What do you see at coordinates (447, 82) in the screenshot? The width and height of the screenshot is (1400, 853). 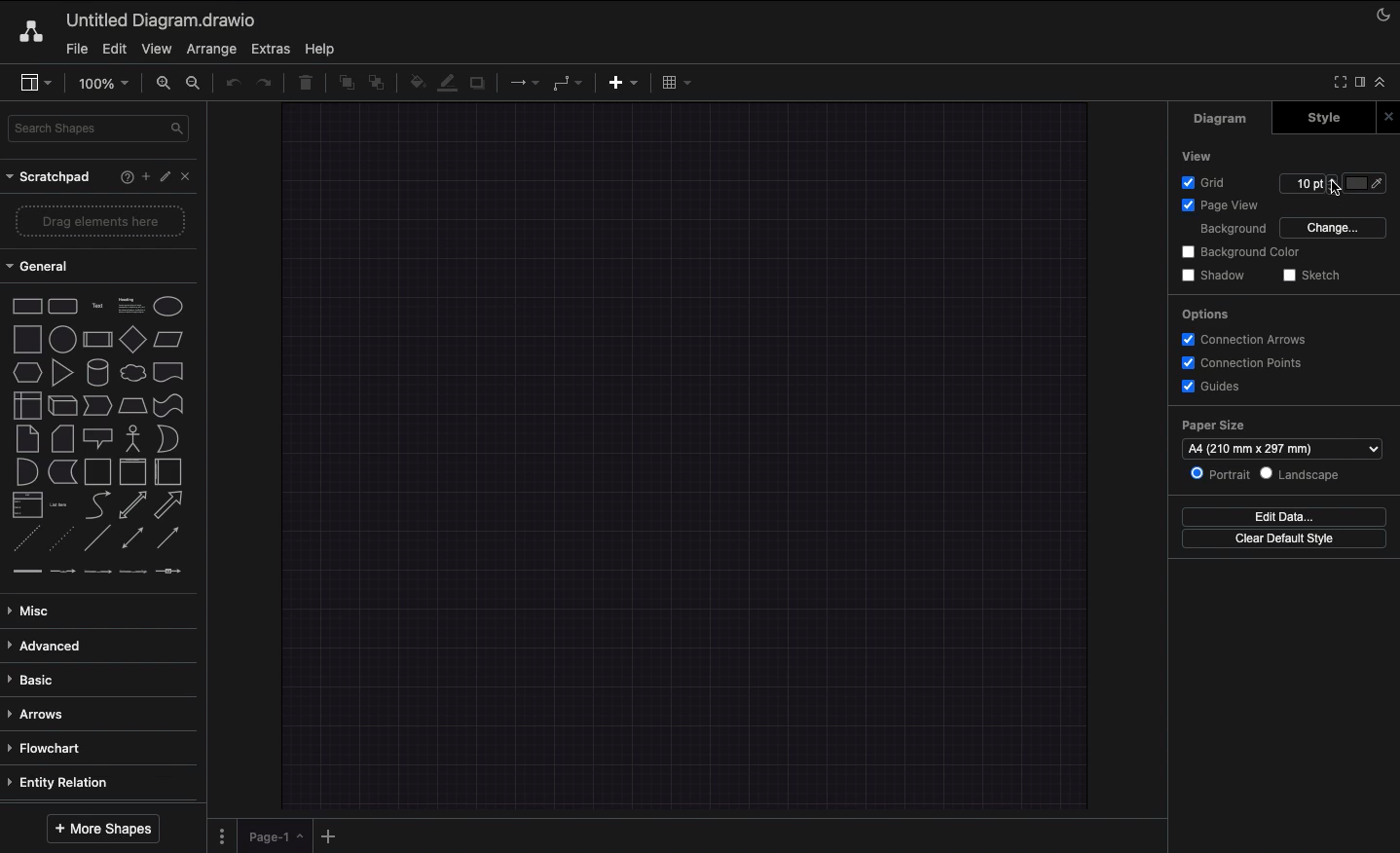 I see `Line color` at bounding box center [447, 82].